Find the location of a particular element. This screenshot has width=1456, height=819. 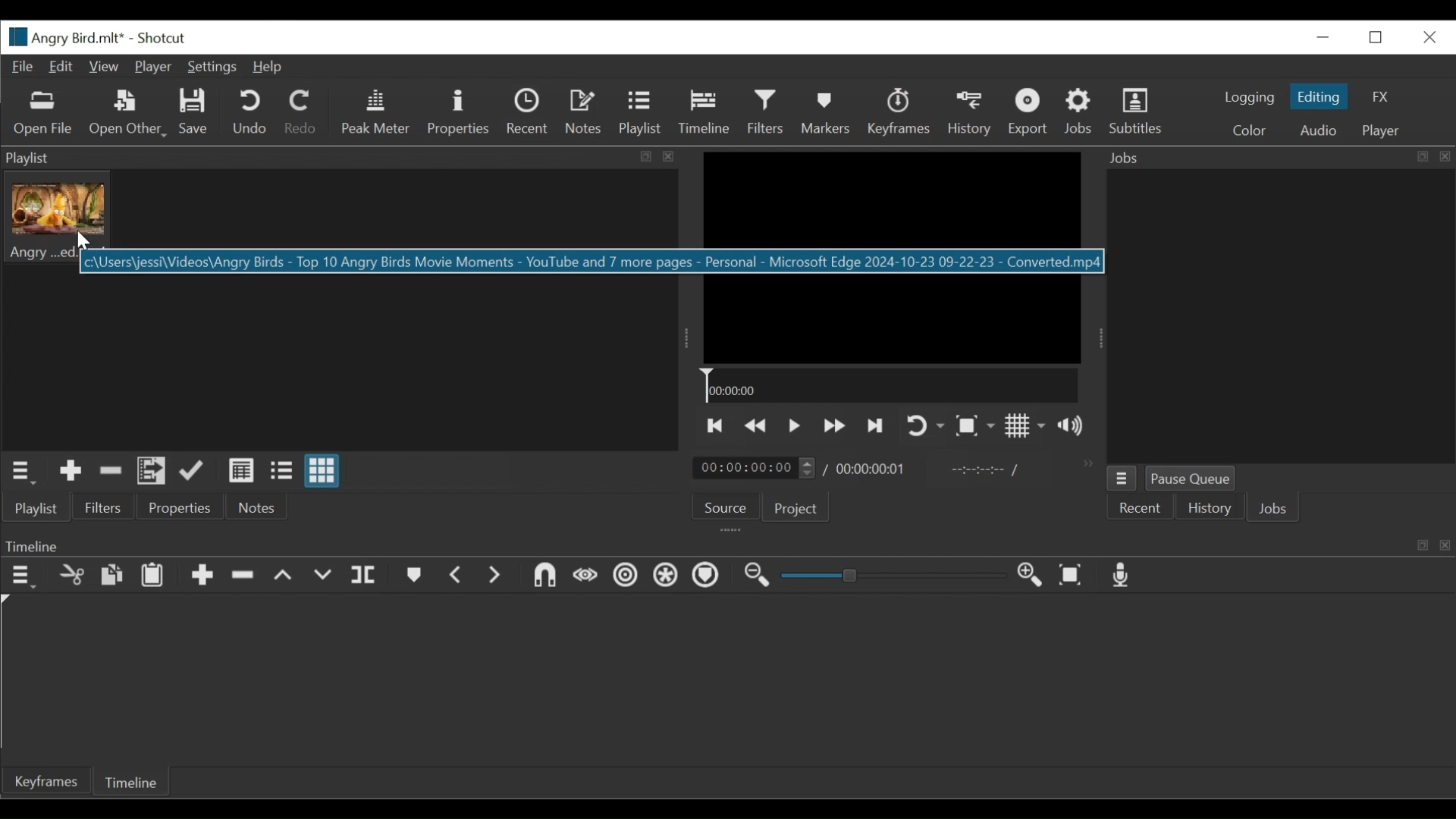

Audio is located at coordinates (1323, 130).